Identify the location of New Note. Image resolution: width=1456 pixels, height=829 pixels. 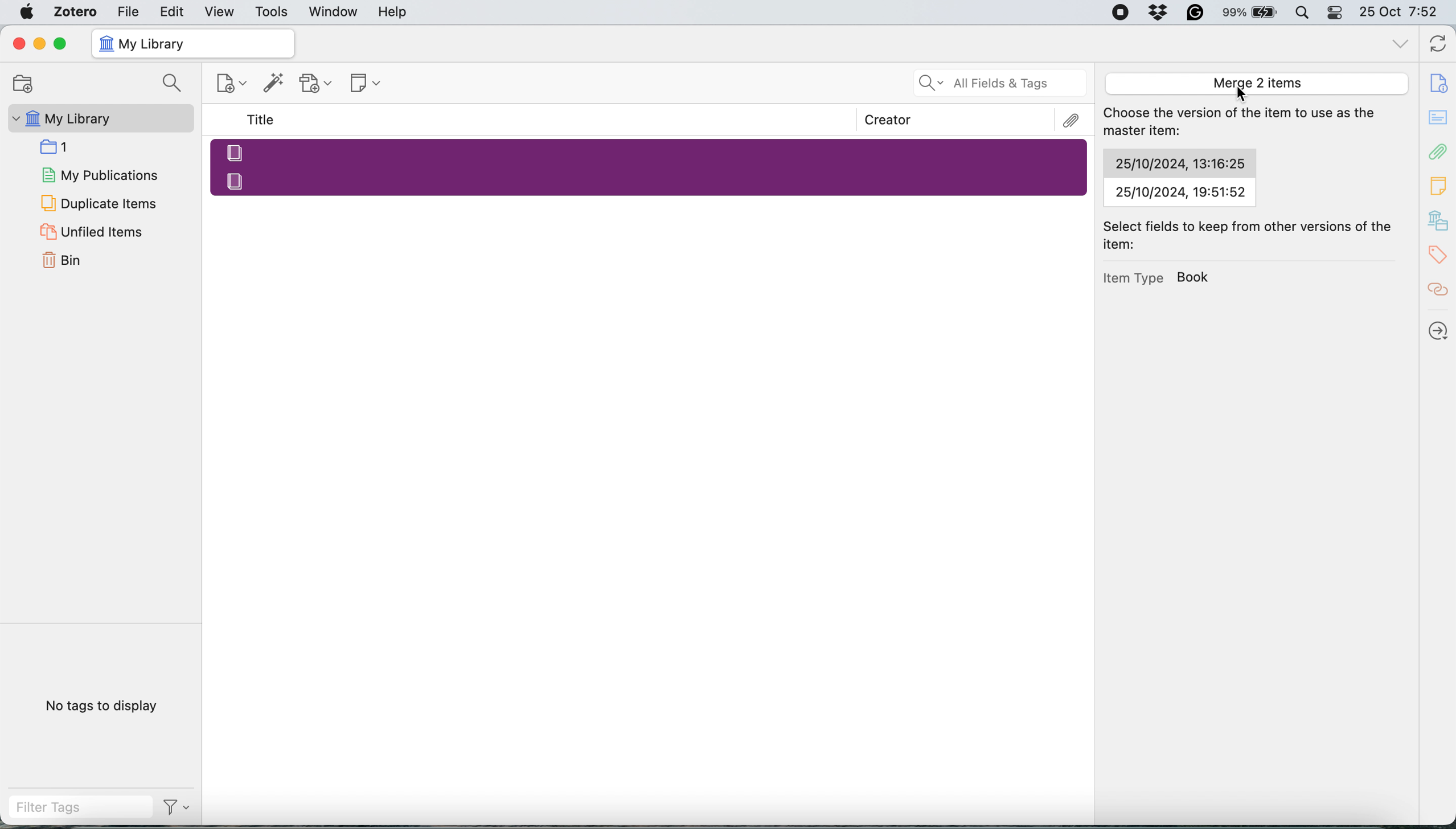
(367, 84).